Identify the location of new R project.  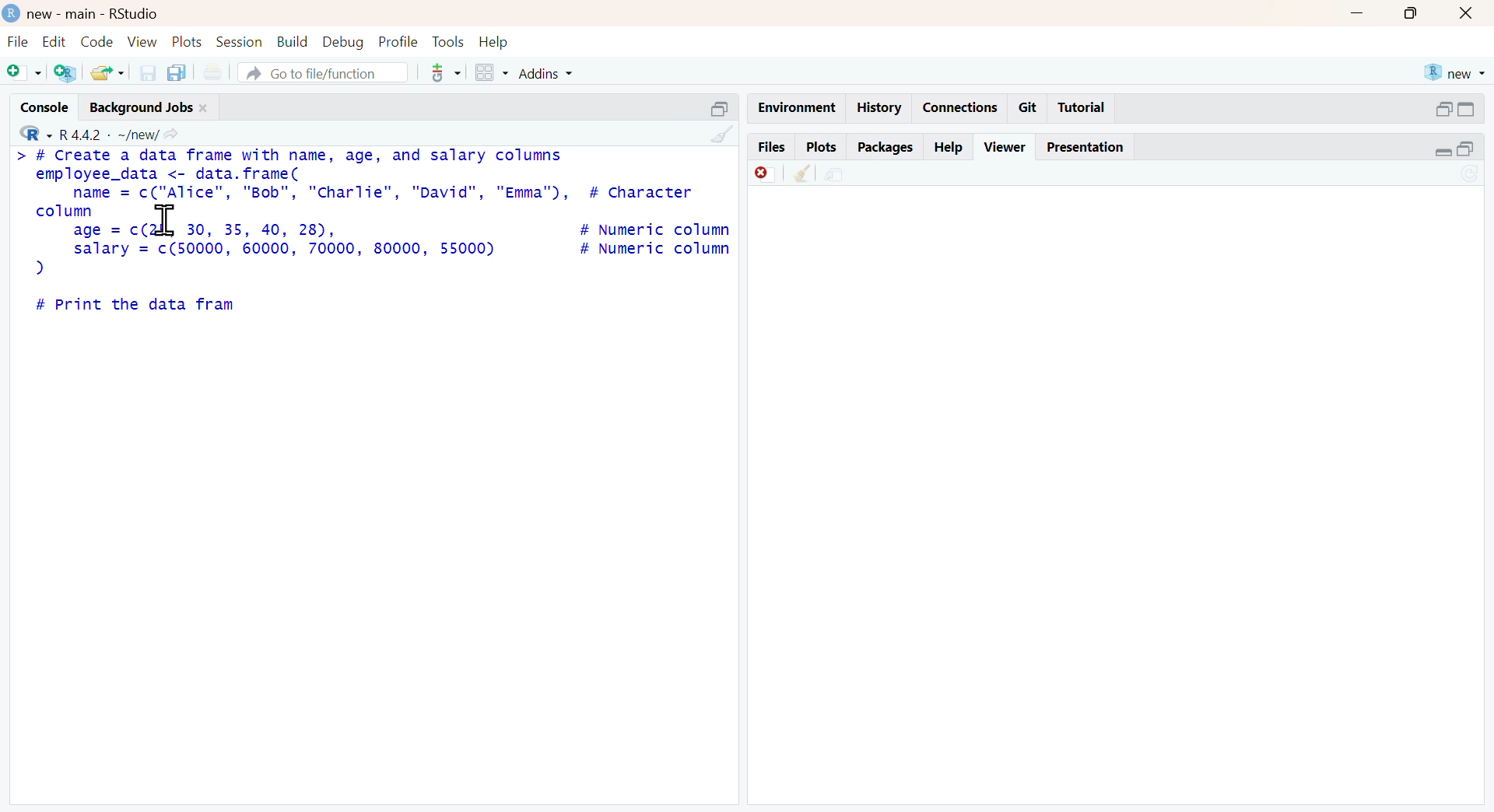
(1455, 70).